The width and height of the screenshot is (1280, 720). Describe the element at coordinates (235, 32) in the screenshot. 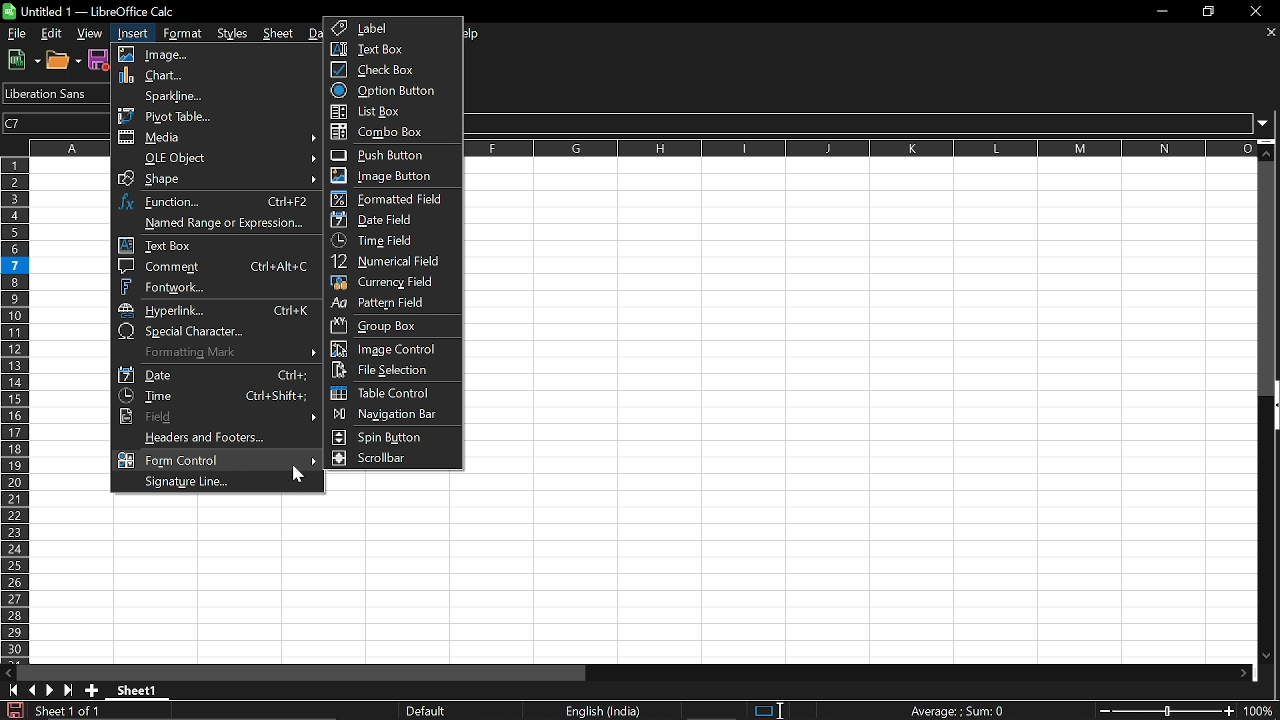

I see `Styles` at that location.